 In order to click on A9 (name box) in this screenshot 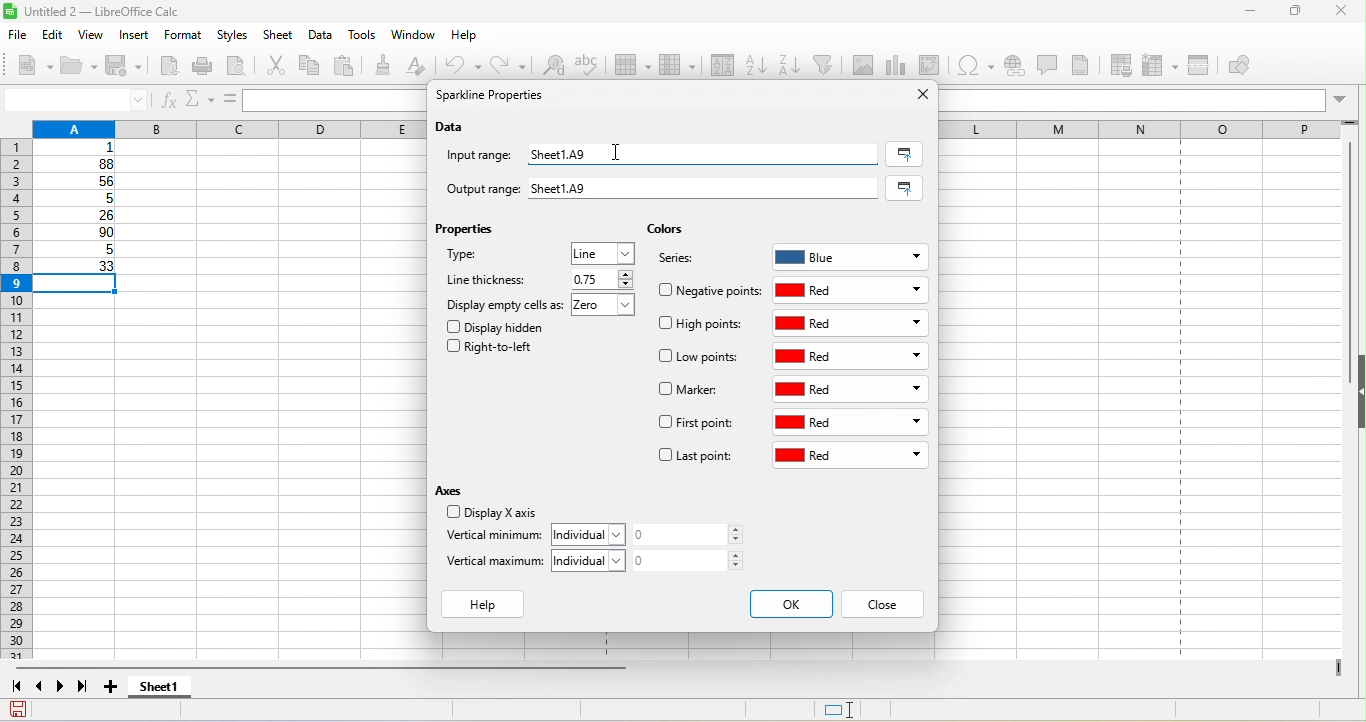, I will do `click(75, 99)`.